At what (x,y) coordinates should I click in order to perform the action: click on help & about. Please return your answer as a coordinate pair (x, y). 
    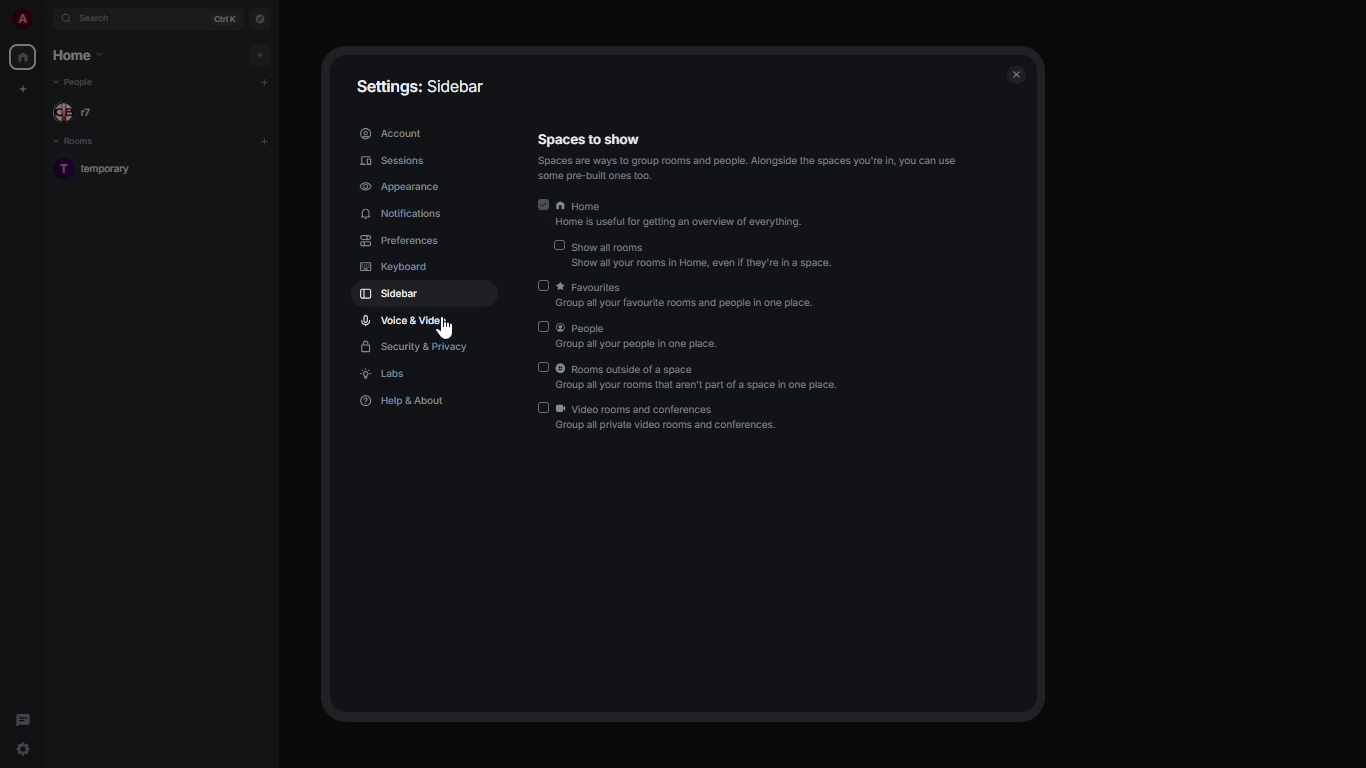
    Looking at the image, I should click on (405, 402).